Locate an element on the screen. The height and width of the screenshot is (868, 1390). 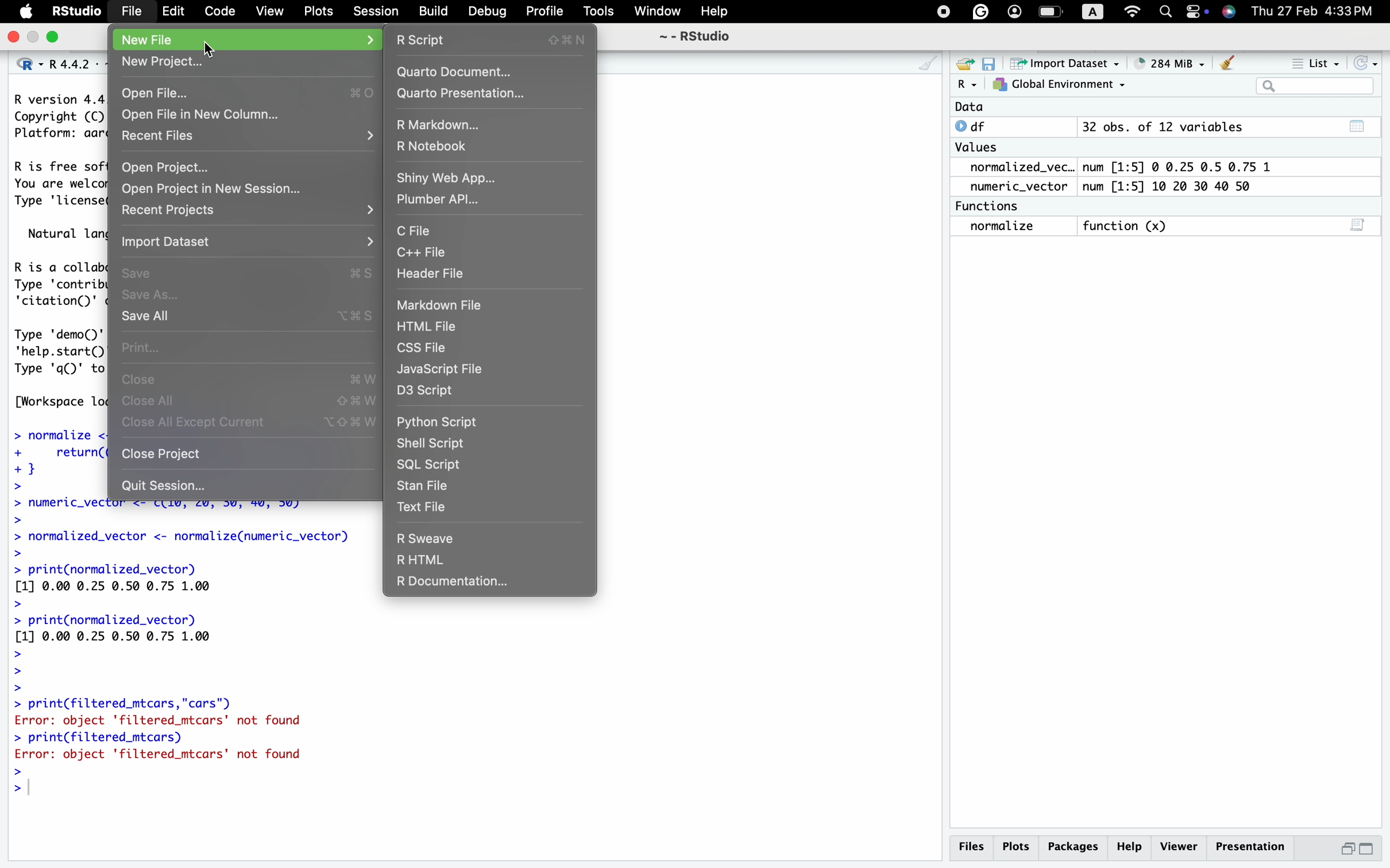
R version 4
Copyright (
Platform: a
R is free s
You are weld
Type 'licen:
Natural 1
R is a coll
Type 'contr
'citation()
Type 'demo(
"help.start
Type 'qaQ)"
[Workspace
> normalize
+ retur
+}
> is located at coordinates (52, 293).